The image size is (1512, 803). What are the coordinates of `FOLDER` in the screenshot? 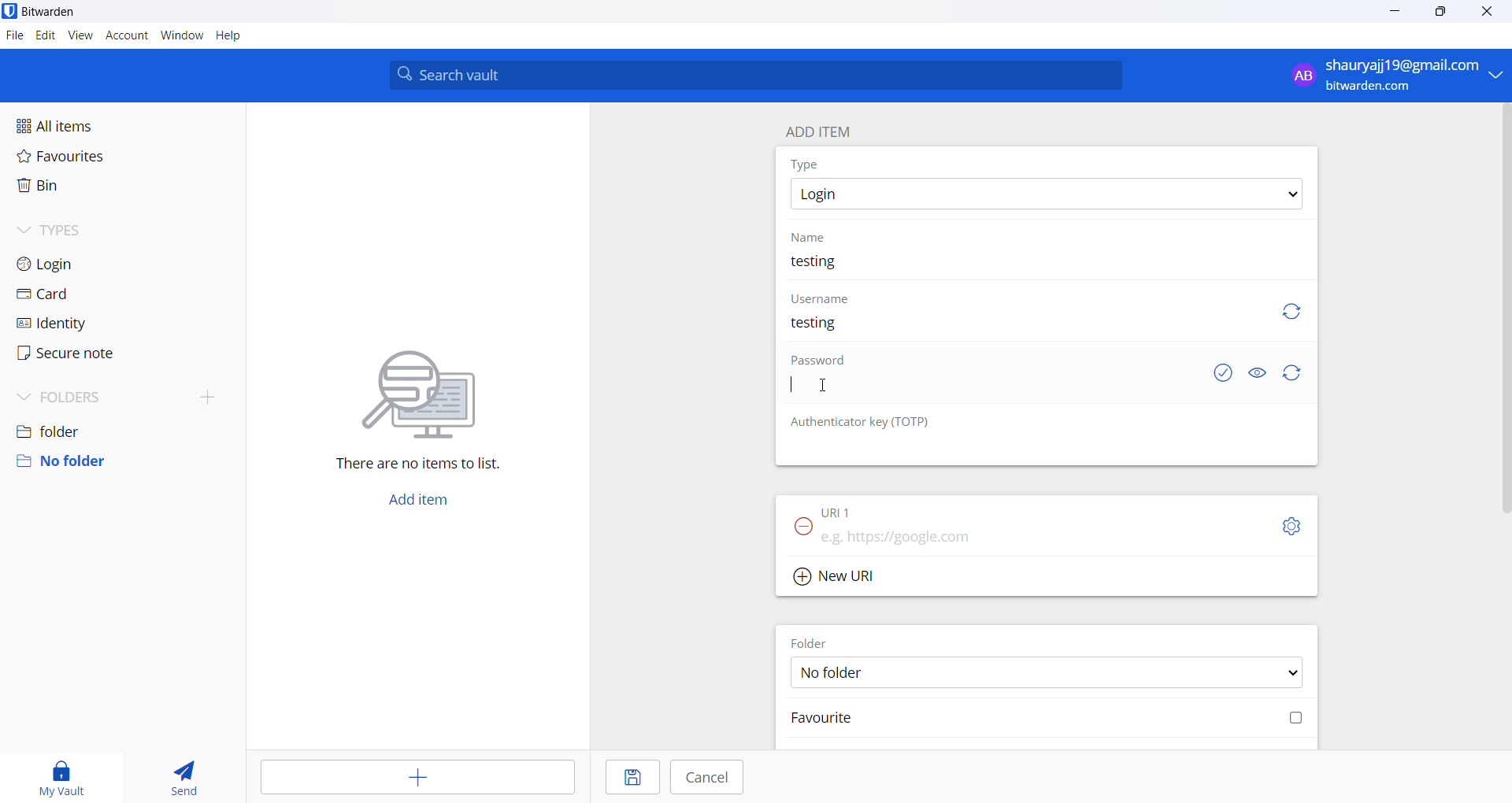 It's located at (813, 642).